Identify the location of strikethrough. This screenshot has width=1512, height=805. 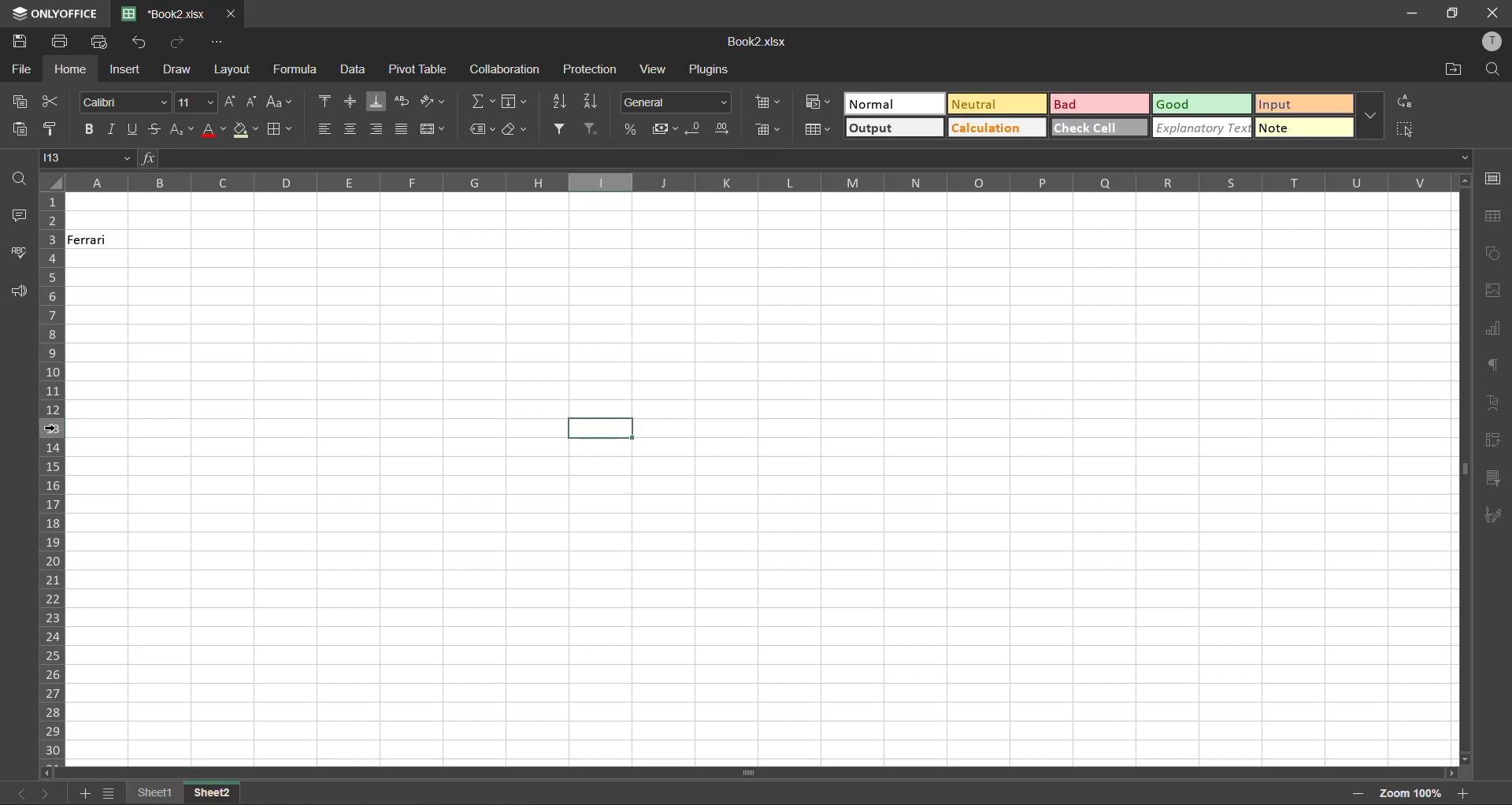
(152, 128).